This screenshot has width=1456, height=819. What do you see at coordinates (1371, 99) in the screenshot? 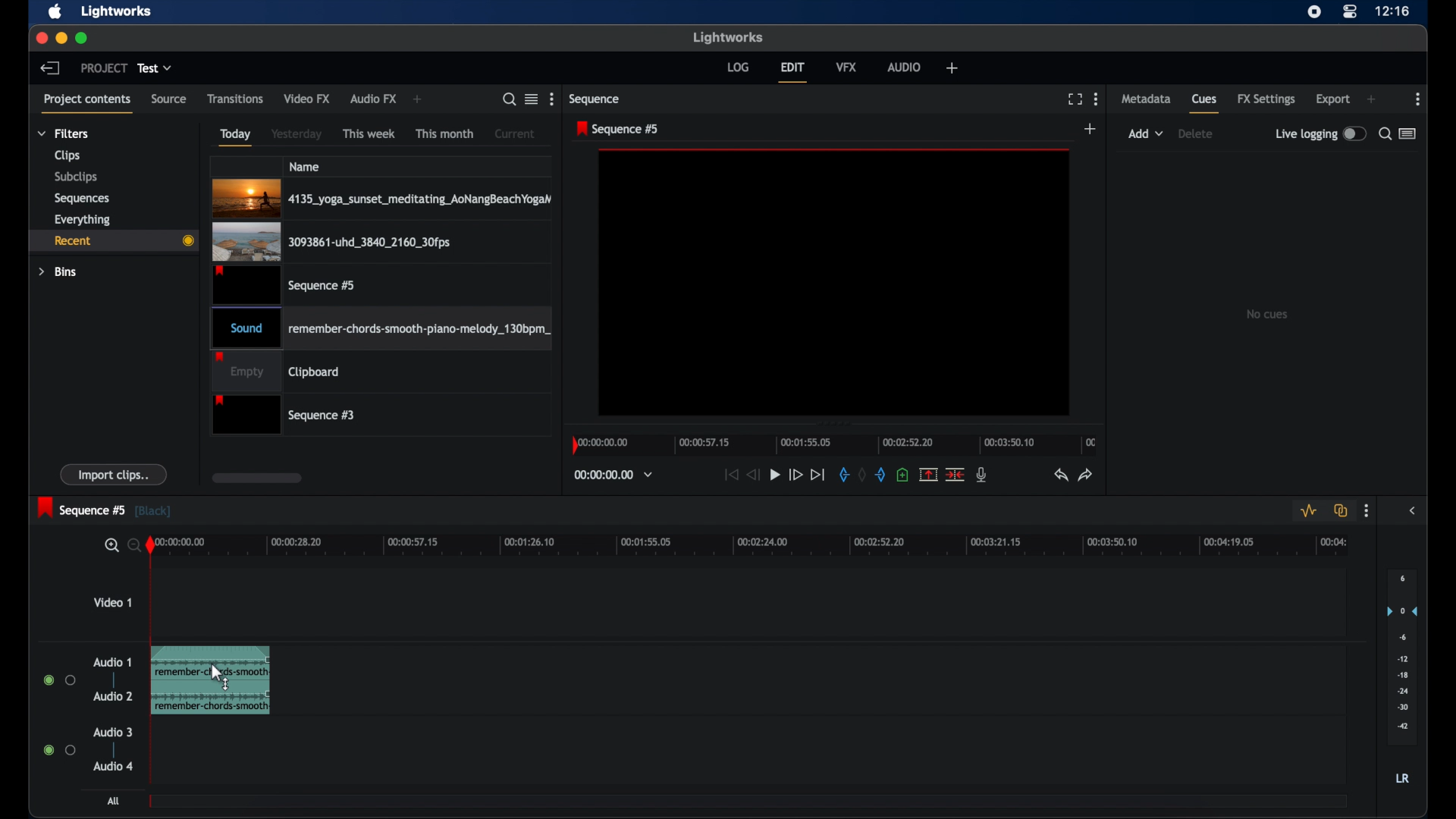
I see `add` at bounding box center [1371, 99].